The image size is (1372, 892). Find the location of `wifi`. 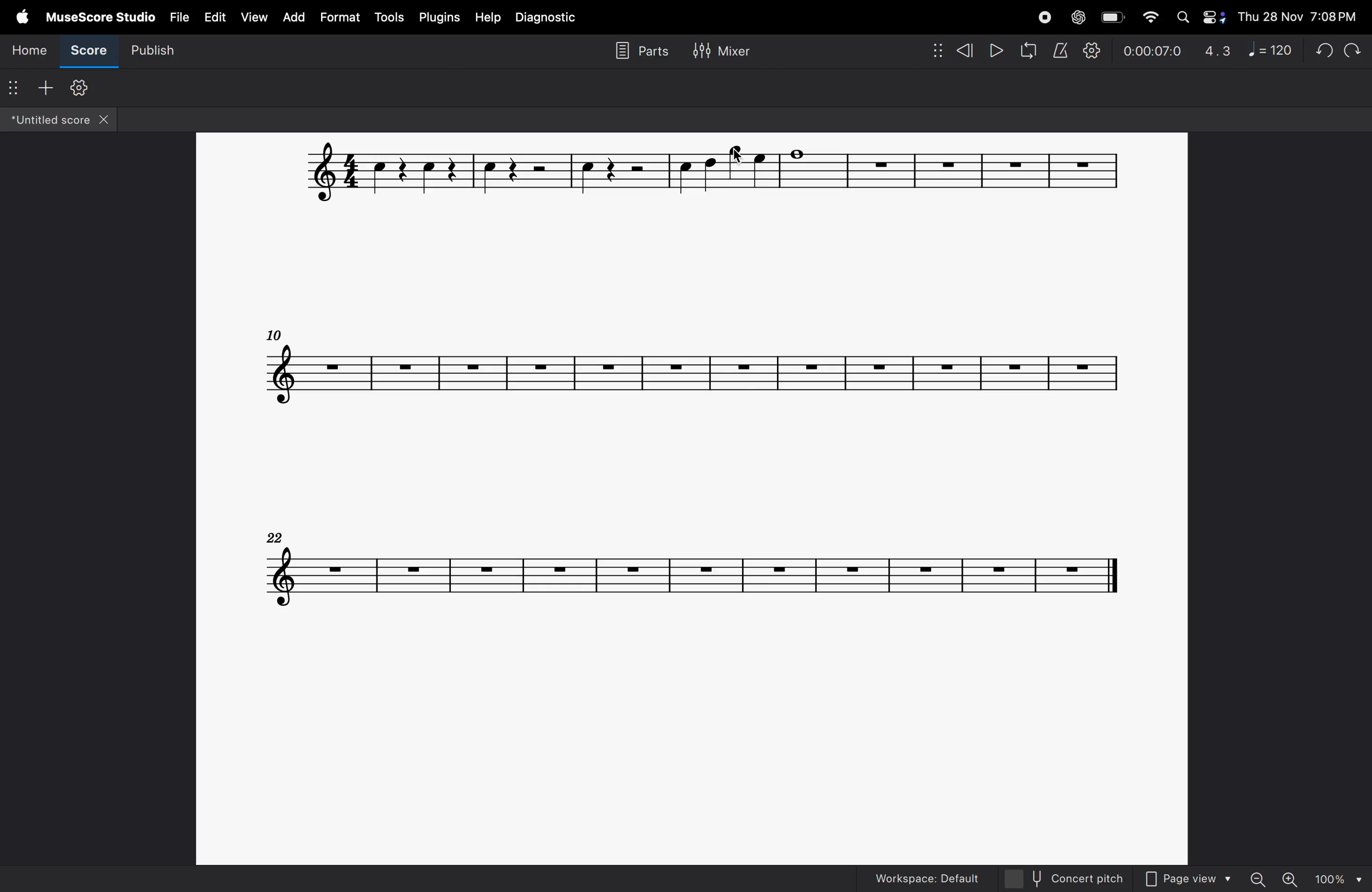

wifi is located at coordinates (1146, 18).